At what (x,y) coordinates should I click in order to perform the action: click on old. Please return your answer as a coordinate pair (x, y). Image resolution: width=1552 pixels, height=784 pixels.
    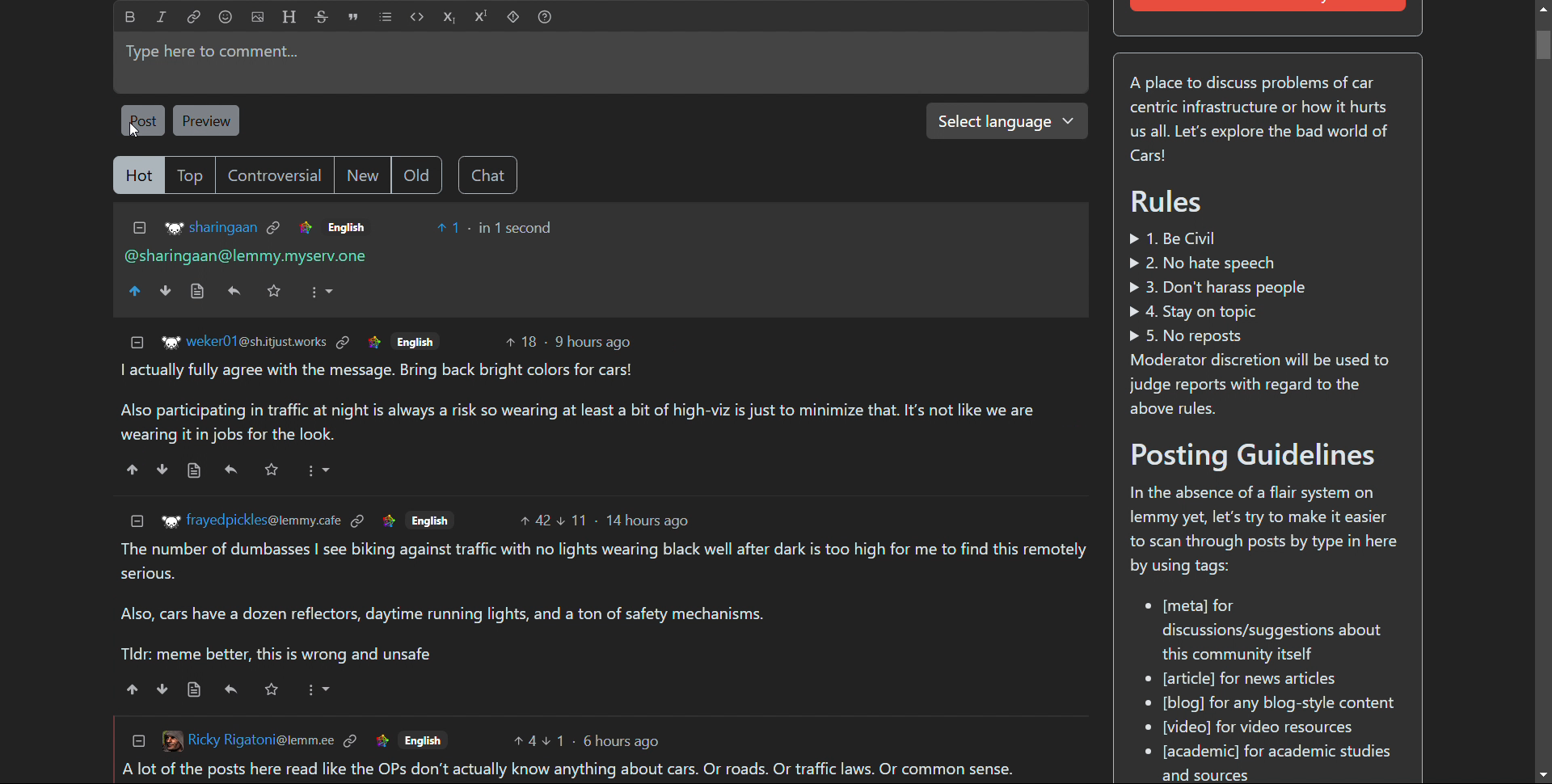
    Looking at the image, I should click on (415, 175).